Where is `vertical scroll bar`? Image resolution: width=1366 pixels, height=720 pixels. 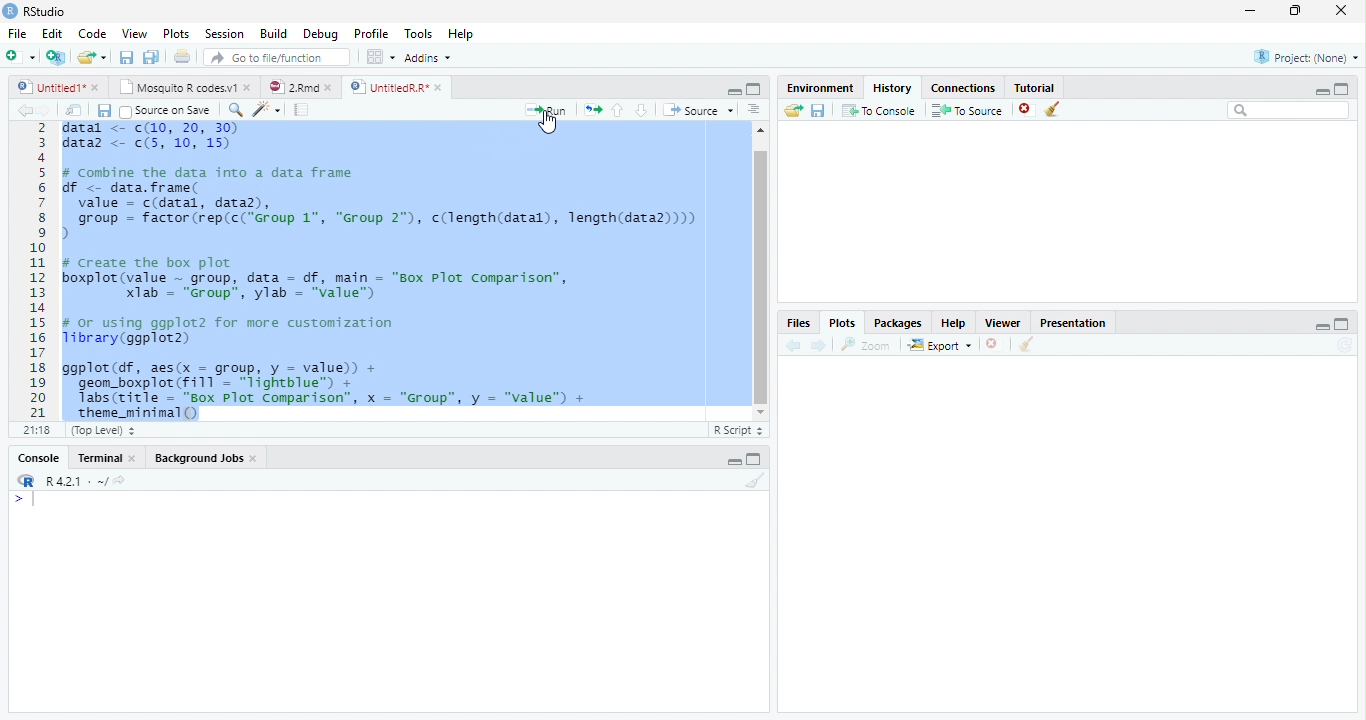 vertical scroll bar is located at coordinates (761, 271).